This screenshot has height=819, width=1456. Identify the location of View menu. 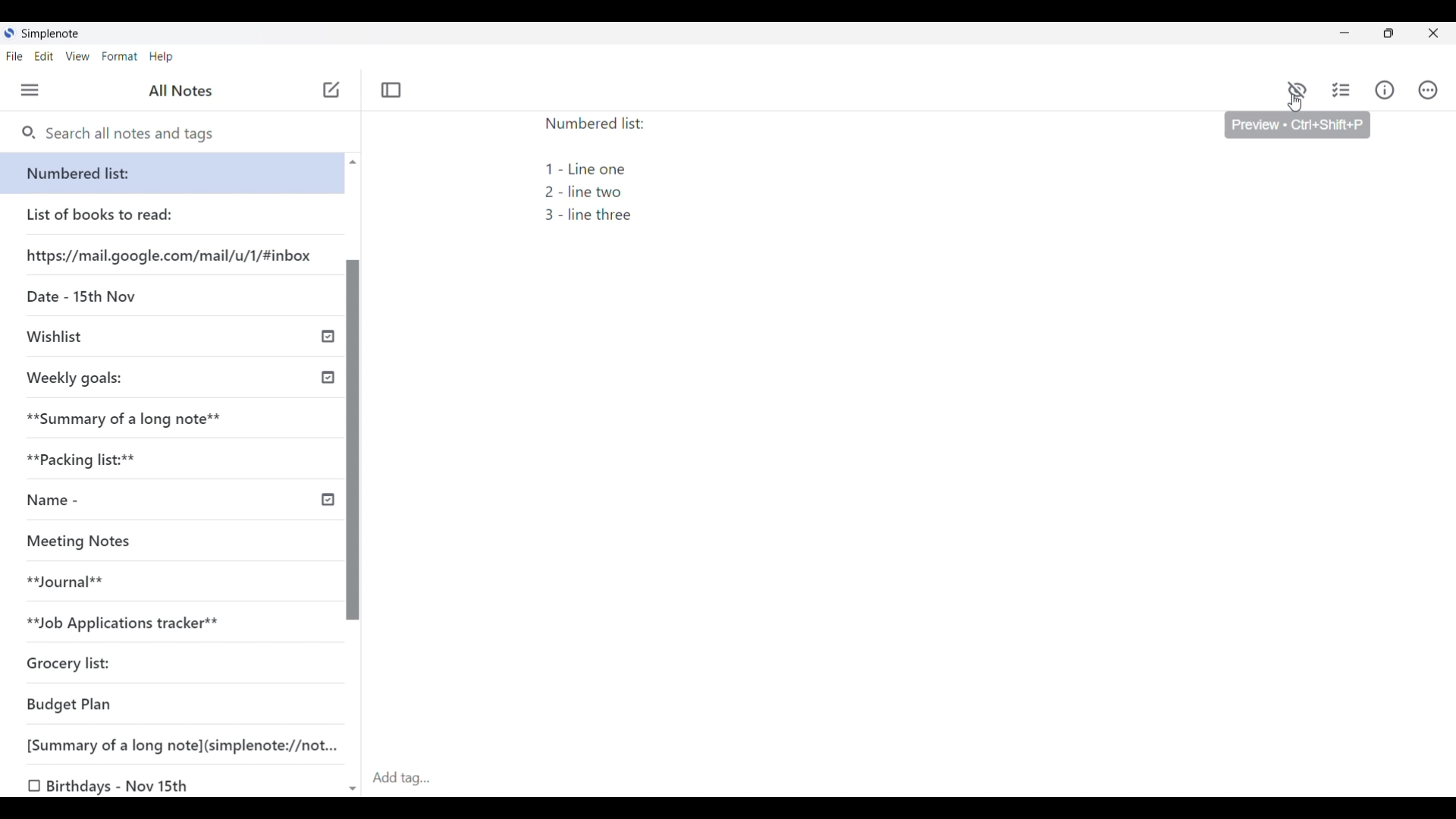
(77, 56).